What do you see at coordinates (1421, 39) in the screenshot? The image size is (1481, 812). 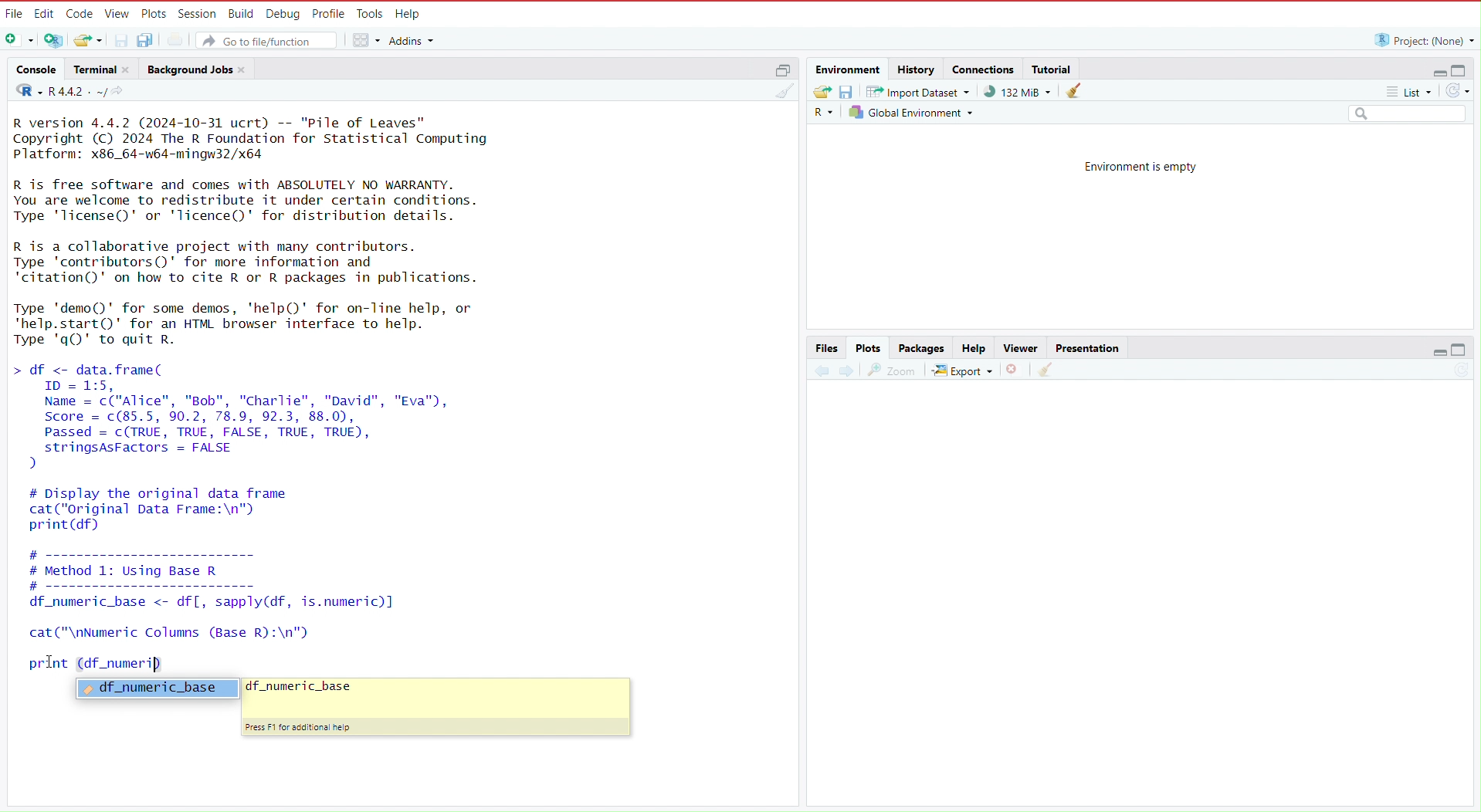 I see `Project: (None)` at bounding box center [1421, 39].